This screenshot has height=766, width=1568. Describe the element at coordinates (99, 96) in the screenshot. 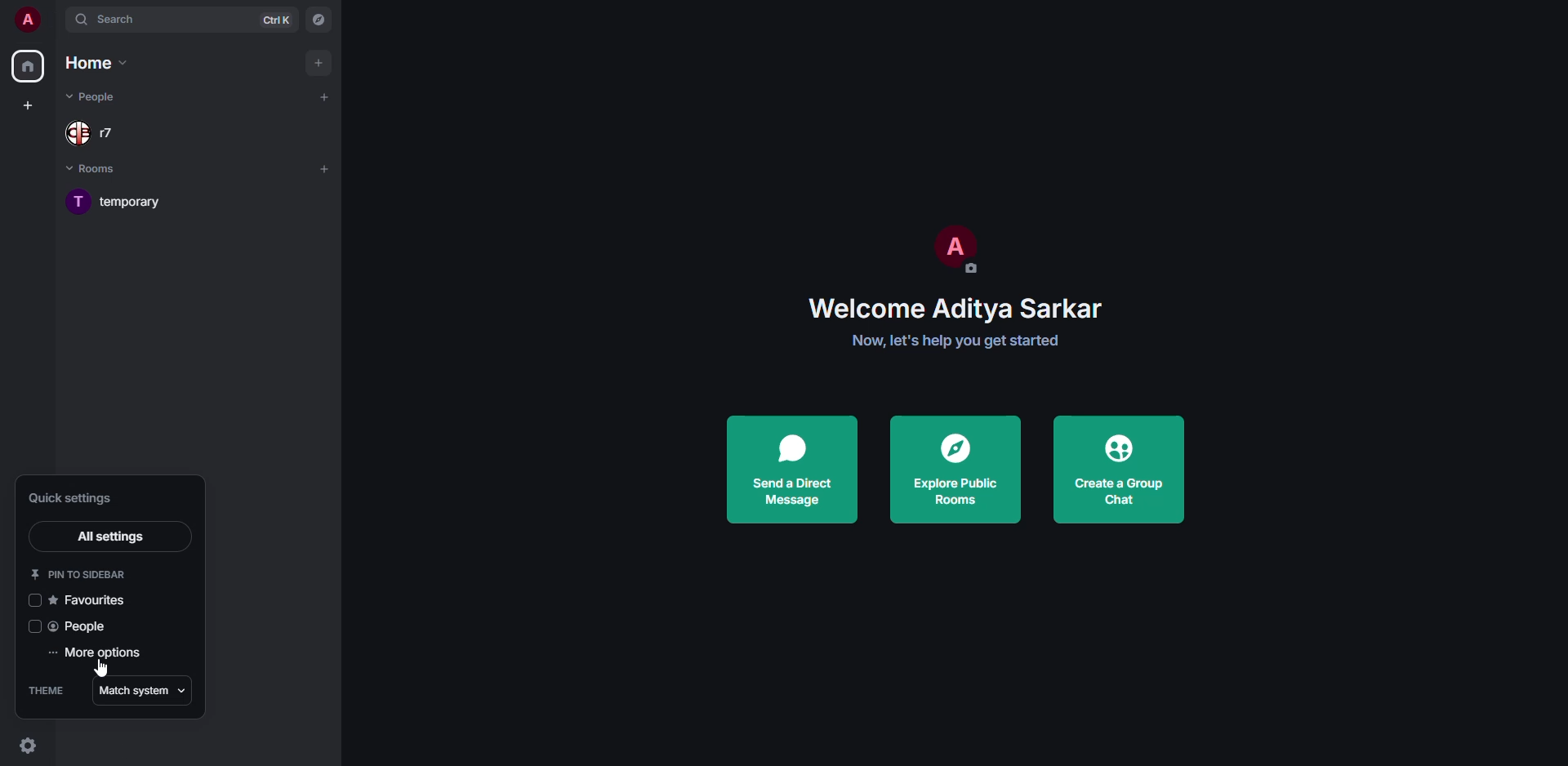

I see `people` at that location.